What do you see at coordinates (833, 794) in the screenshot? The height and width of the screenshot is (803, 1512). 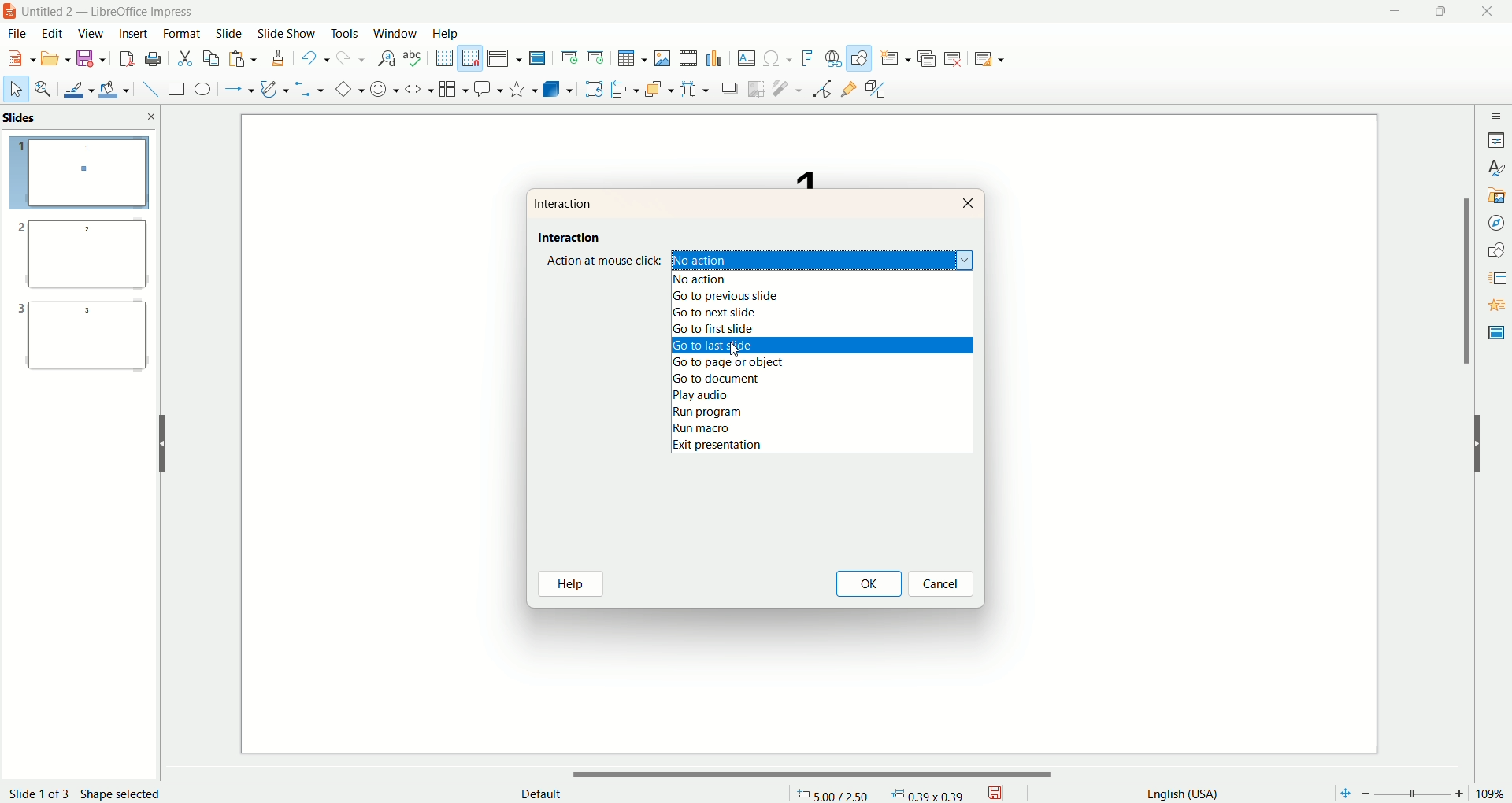 I see `coordinates` at bounding box center [833, 794].